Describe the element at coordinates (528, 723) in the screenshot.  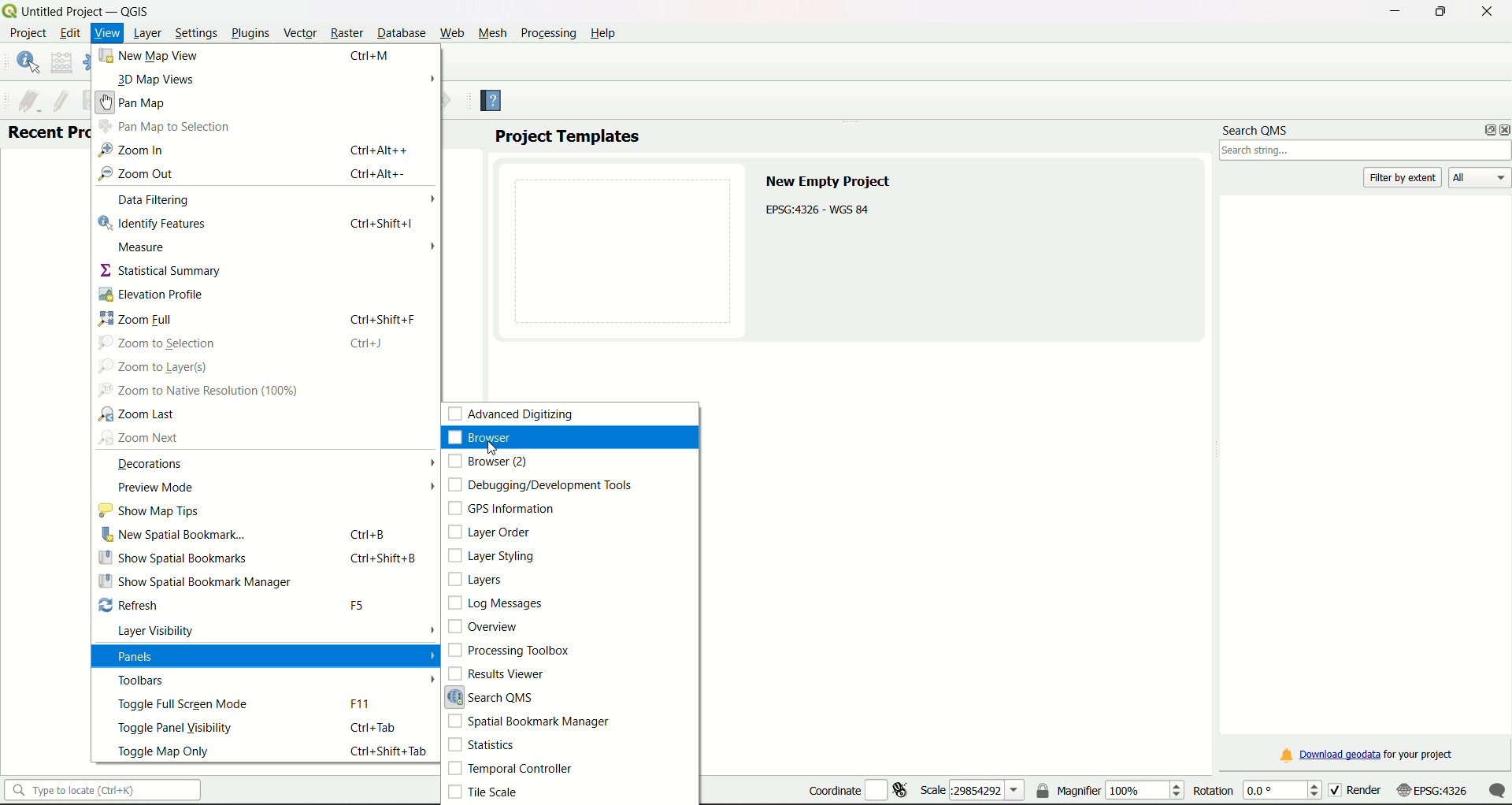
I see `Spatial bookmark manager` at that location.